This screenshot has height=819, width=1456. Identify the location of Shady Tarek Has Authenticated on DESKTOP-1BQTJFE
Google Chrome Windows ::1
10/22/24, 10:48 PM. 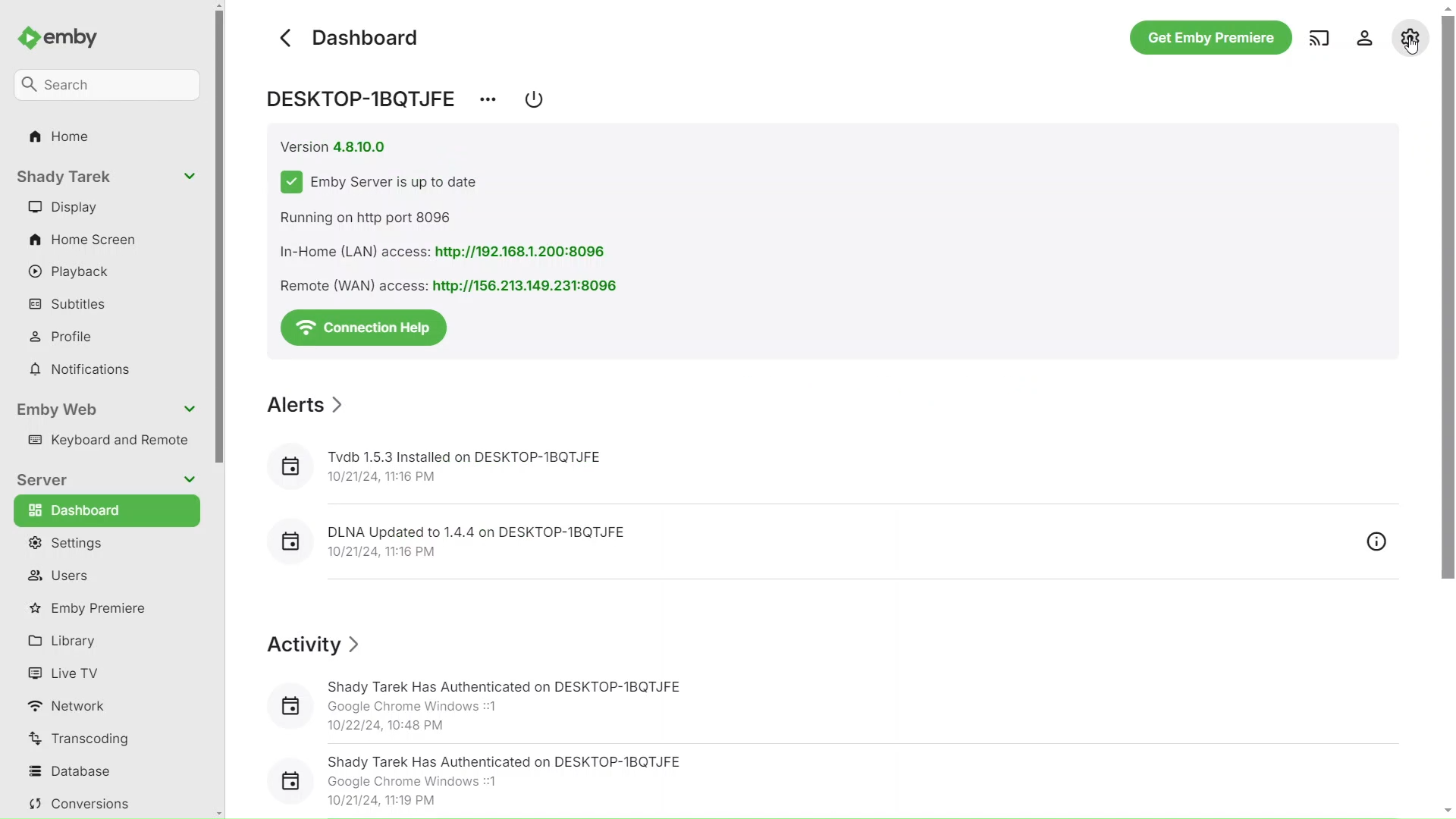
(487, 701).